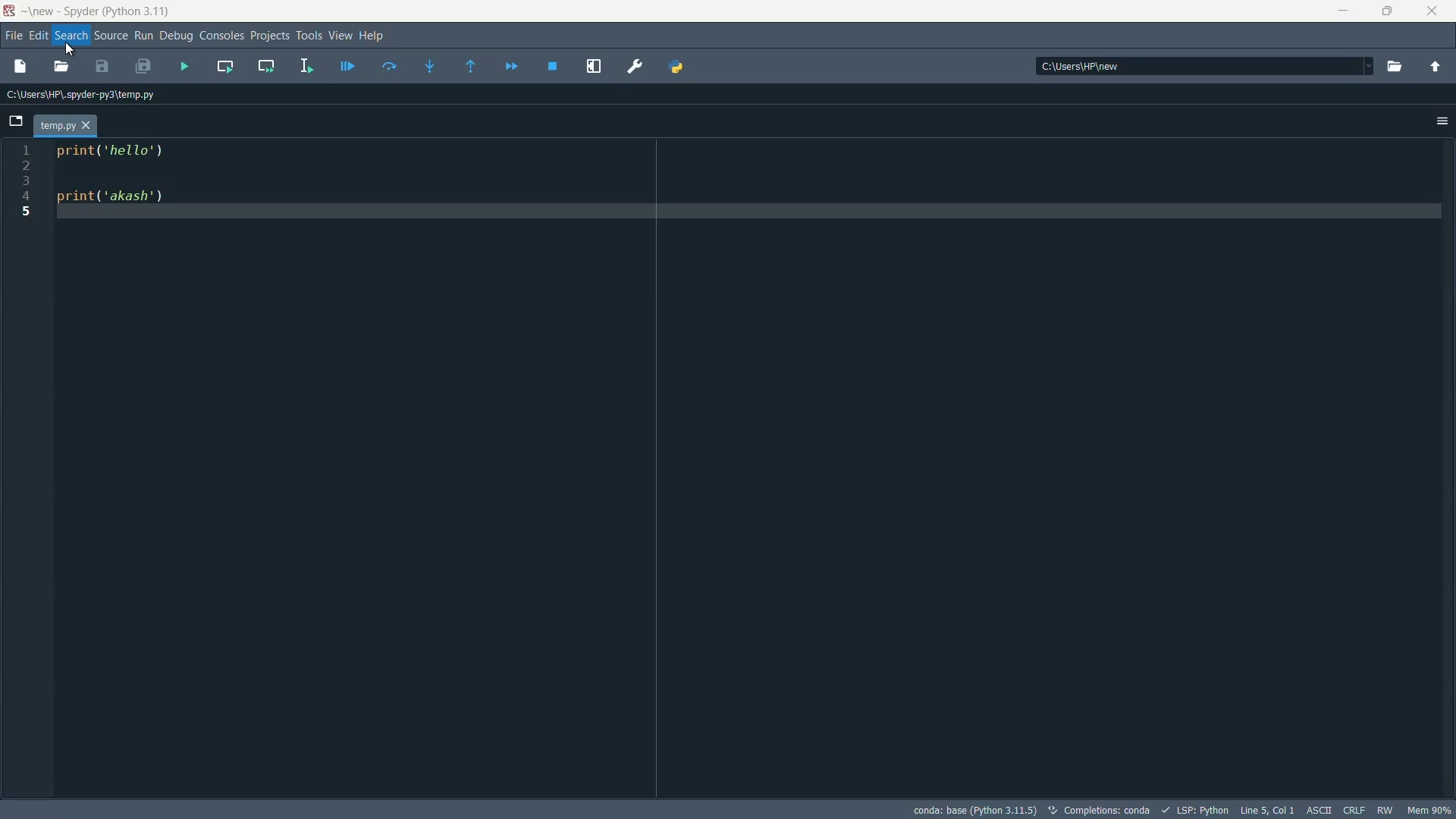 This screenshot has height=819, width=1456. Describe the element at coordinates (1439, 121) in the screenshot. I see `options` at that location.